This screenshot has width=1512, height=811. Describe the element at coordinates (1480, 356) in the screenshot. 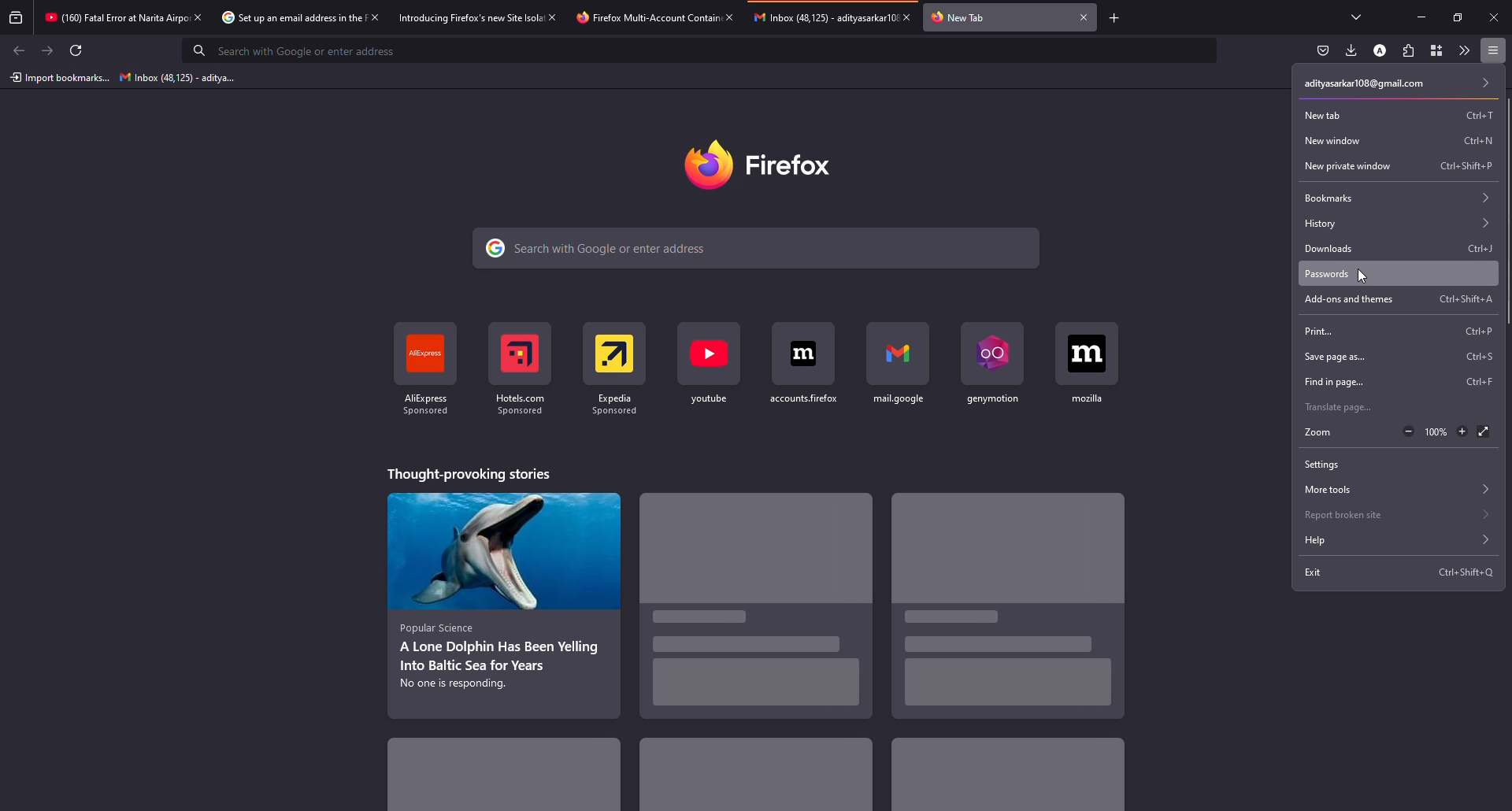

I see `shortcut` at that location.